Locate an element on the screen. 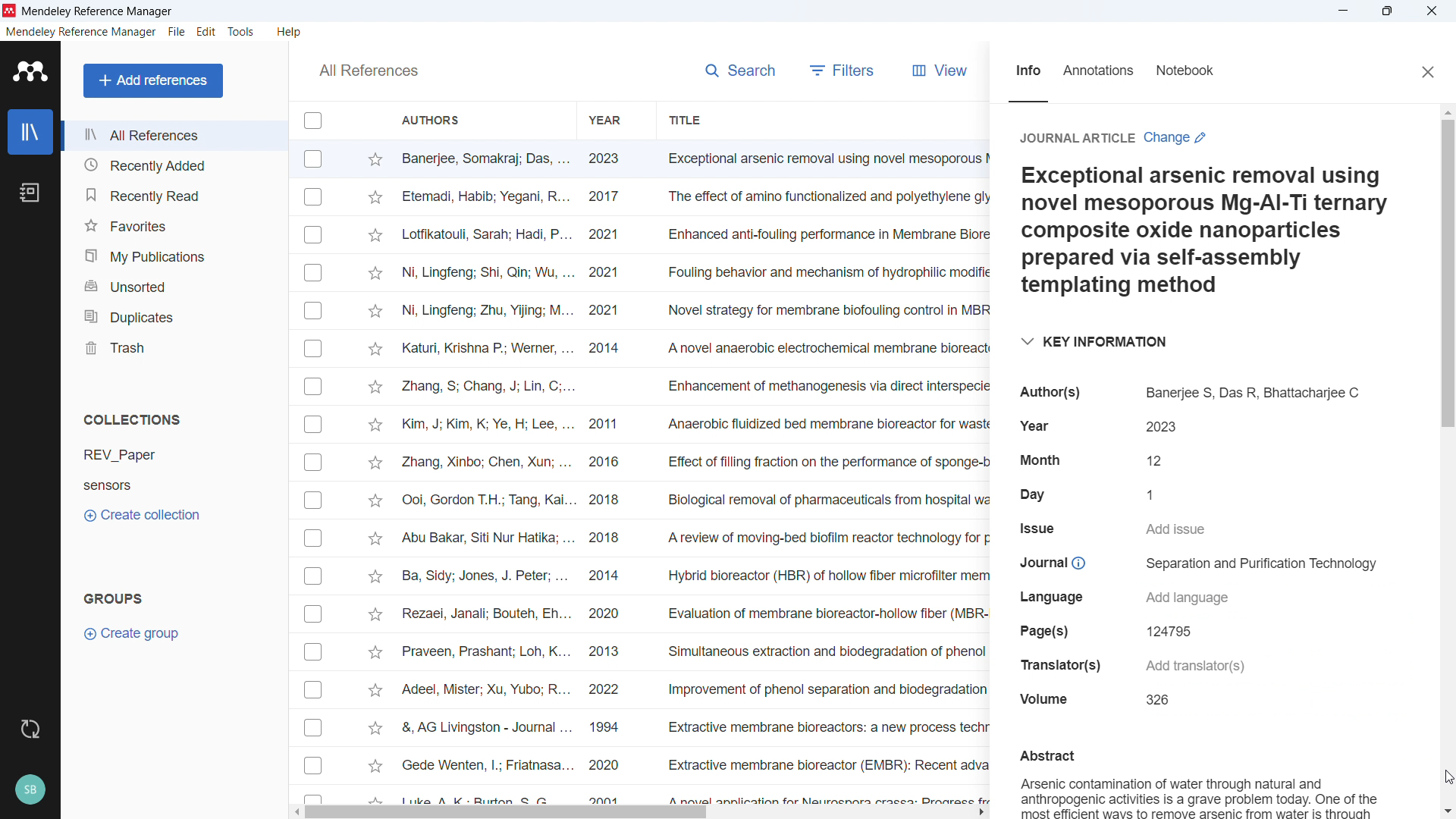 This screenshot has height=819, width=1456. collections is located at coordinates (134, 419).